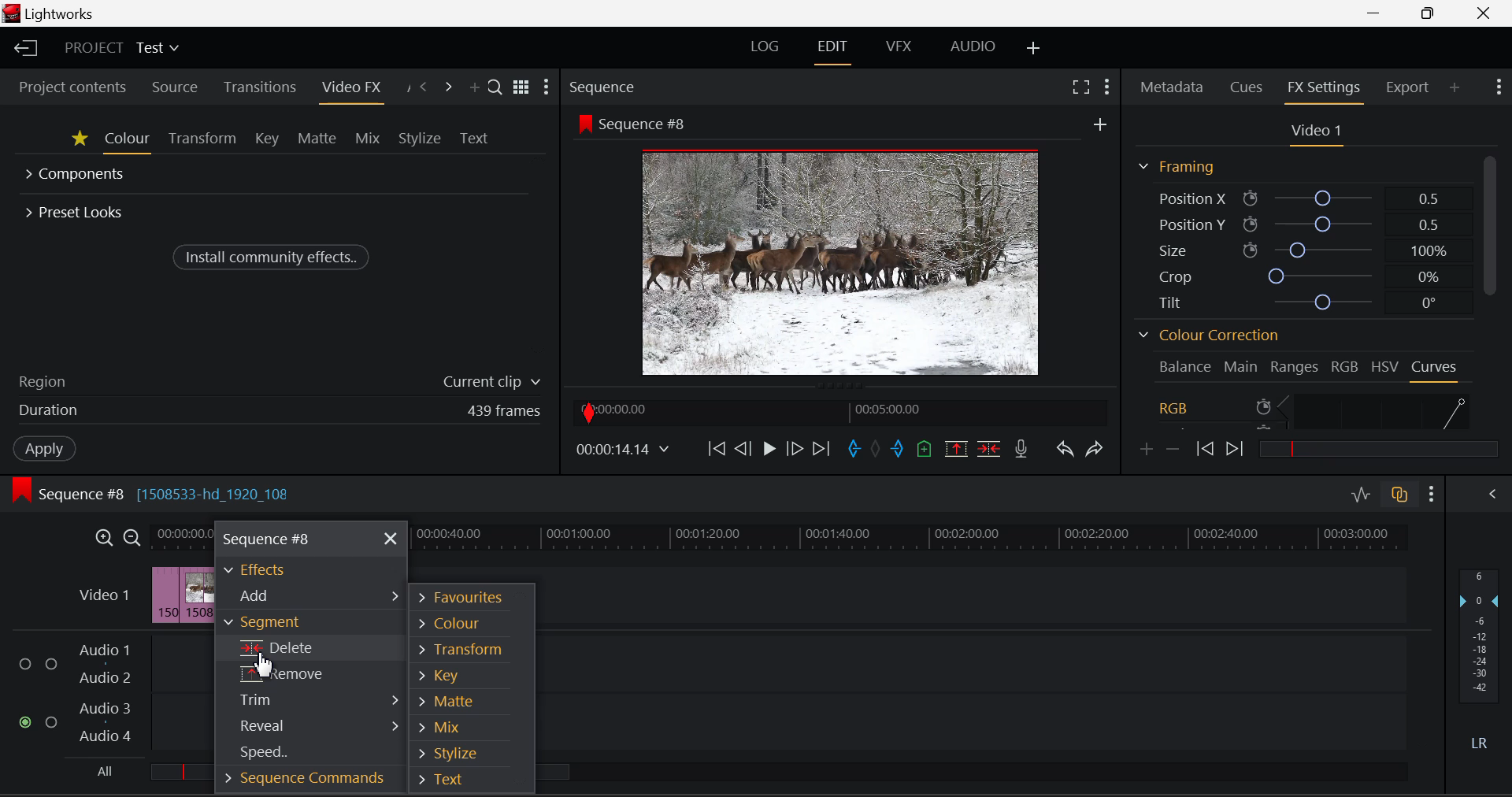  What do you see at coordinates (765, 47) in the screenshot?
I see `LOG Layout` at bounding box center [765, 47].